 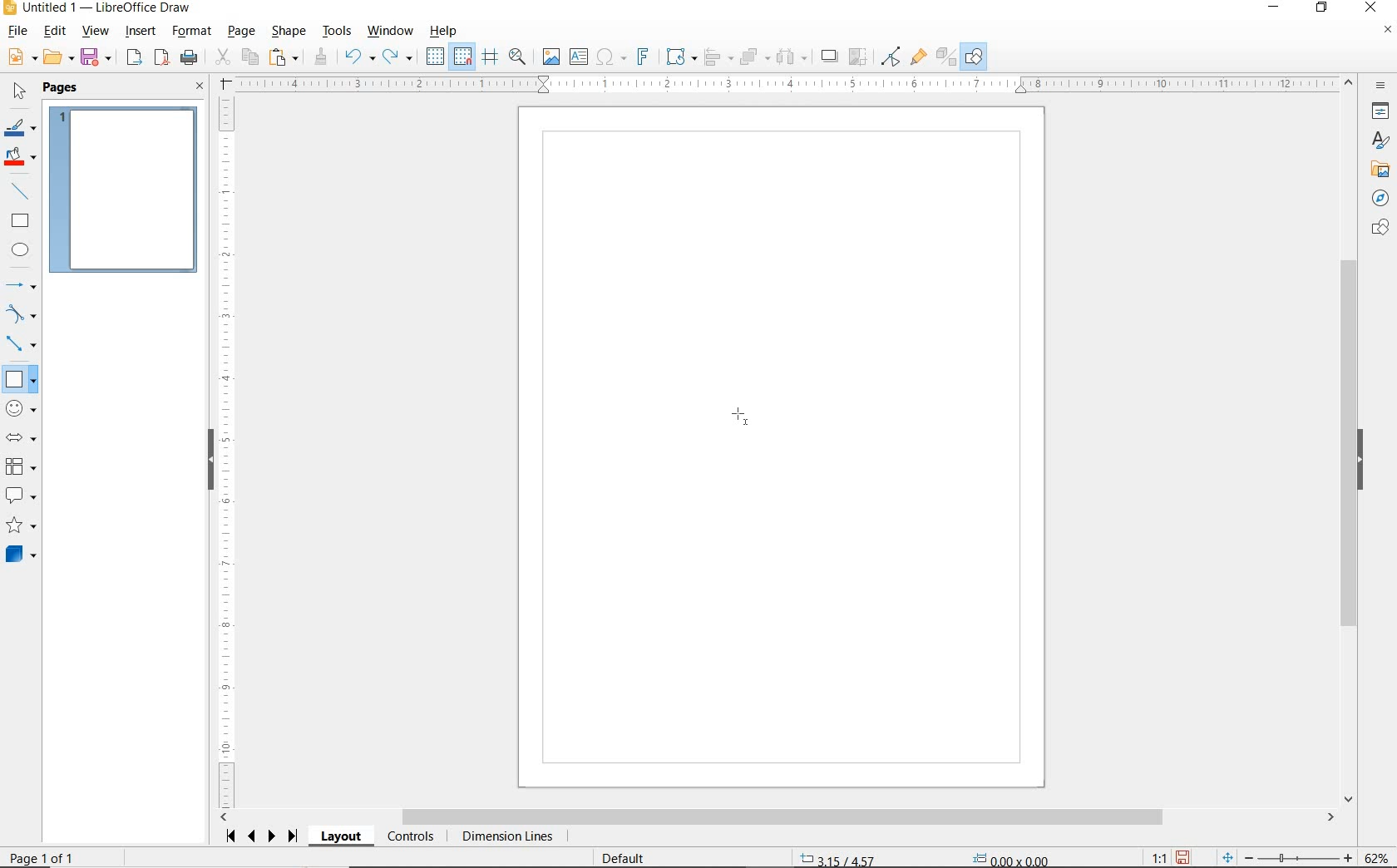 What do you see at coordinates (22, 285) in the screenshot?
I see `LINES AND ARROWS` at bounding box center [22, 285].